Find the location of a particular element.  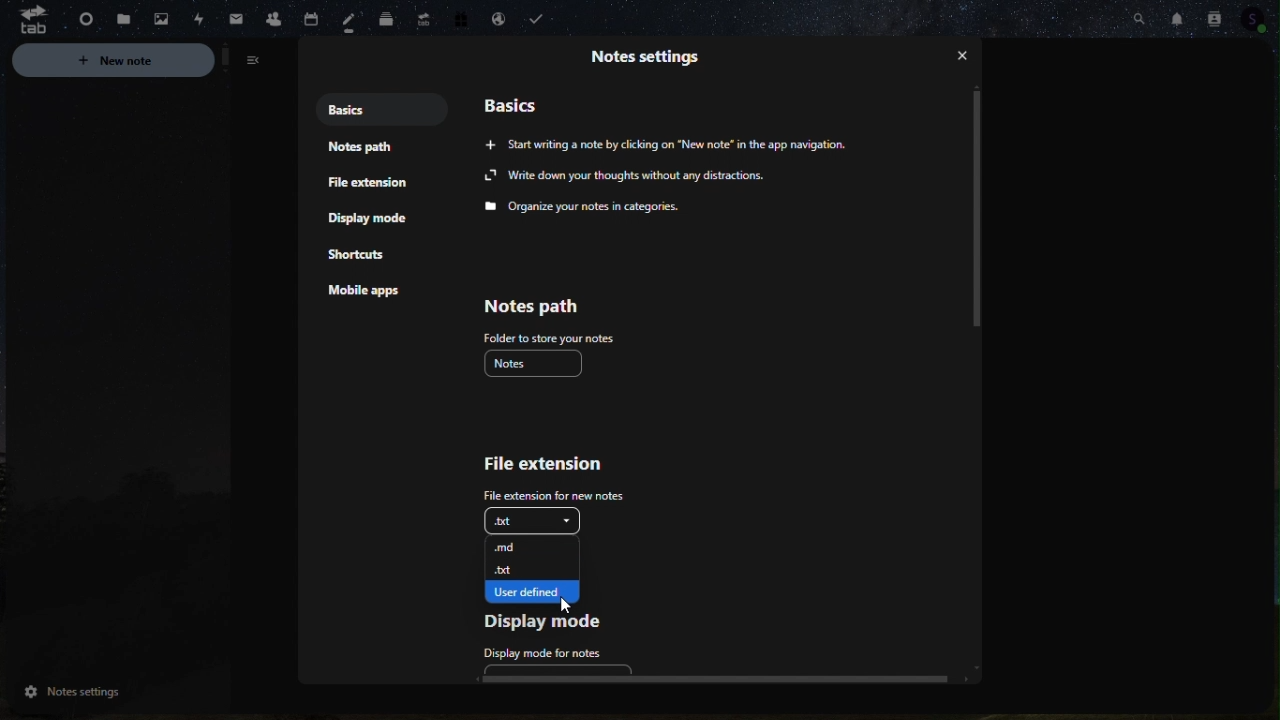

write down your thoughts is located at coordinates (635, 193).